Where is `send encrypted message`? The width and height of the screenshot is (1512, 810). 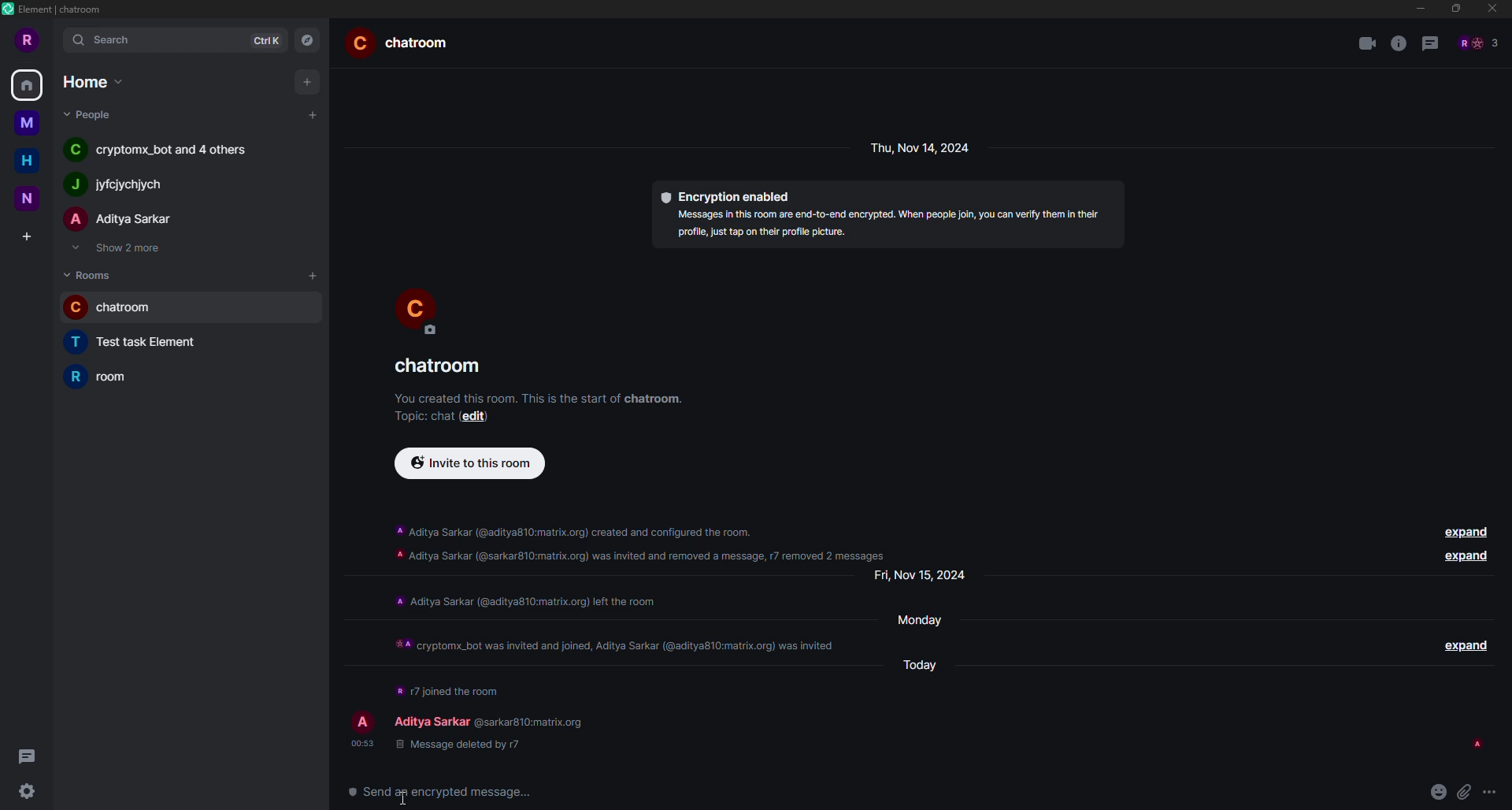
send encrypted message is located at coordinates (443, 794).